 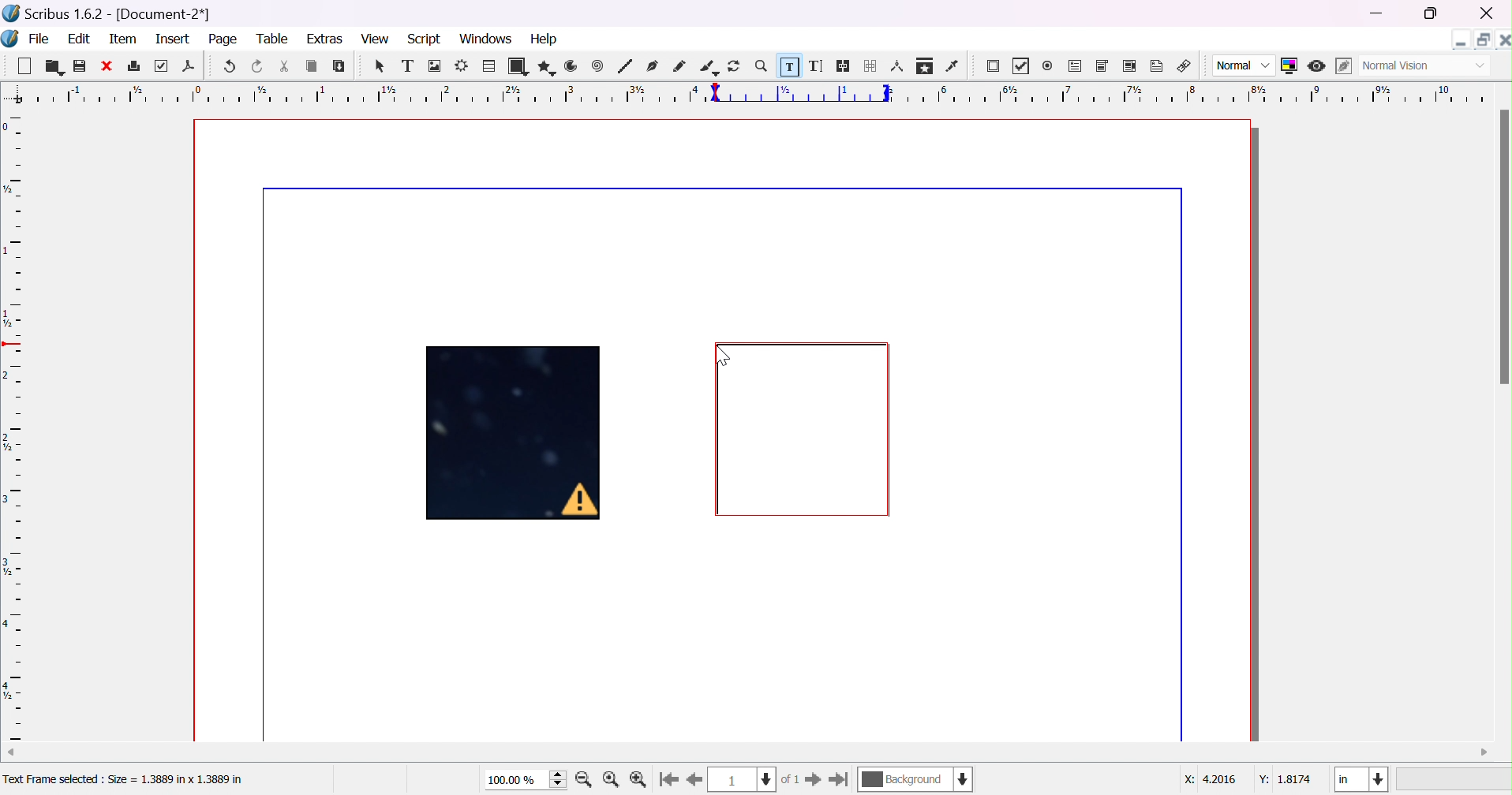 What do you see at coordinates (840, 779) in the screenshot?
I see `go to last page` at bounding box center [840, 779].